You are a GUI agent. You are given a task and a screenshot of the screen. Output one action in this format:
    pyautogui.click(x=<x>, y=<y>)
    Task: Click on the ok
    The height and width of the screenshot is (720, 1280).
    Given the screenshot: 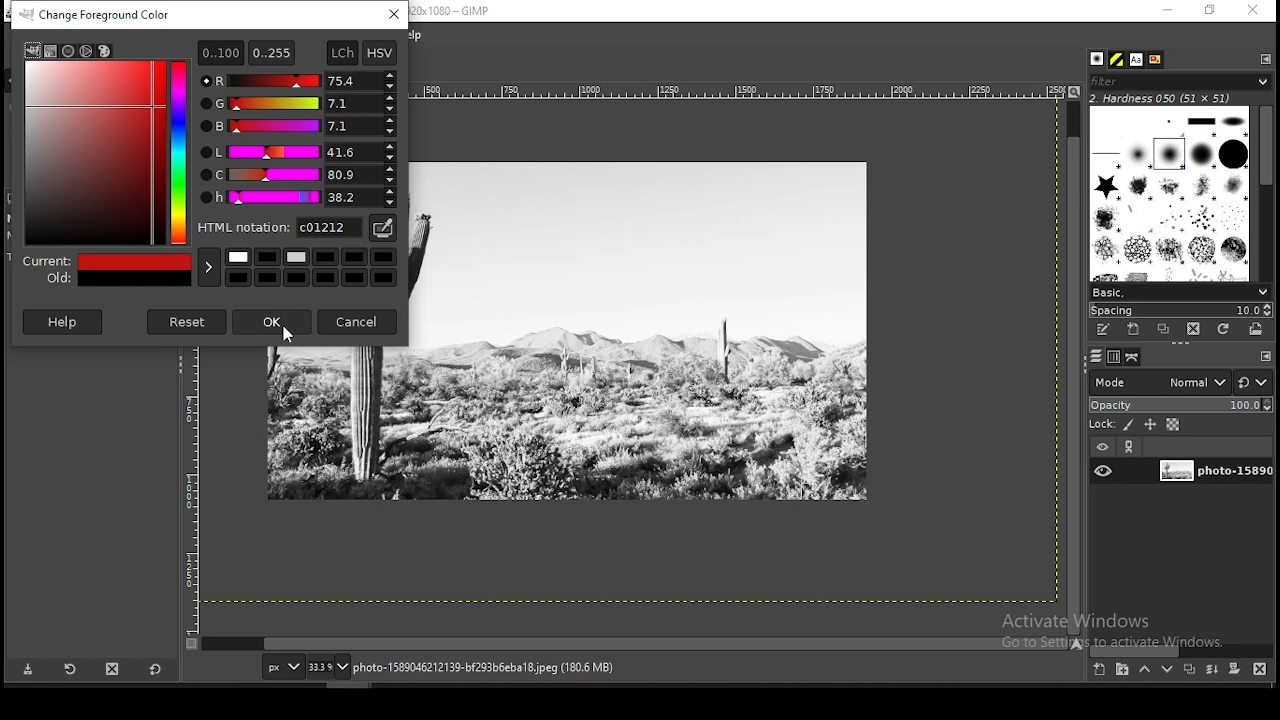 What is the action you would take?
    pyautogui.click(x=271, y=323)
    